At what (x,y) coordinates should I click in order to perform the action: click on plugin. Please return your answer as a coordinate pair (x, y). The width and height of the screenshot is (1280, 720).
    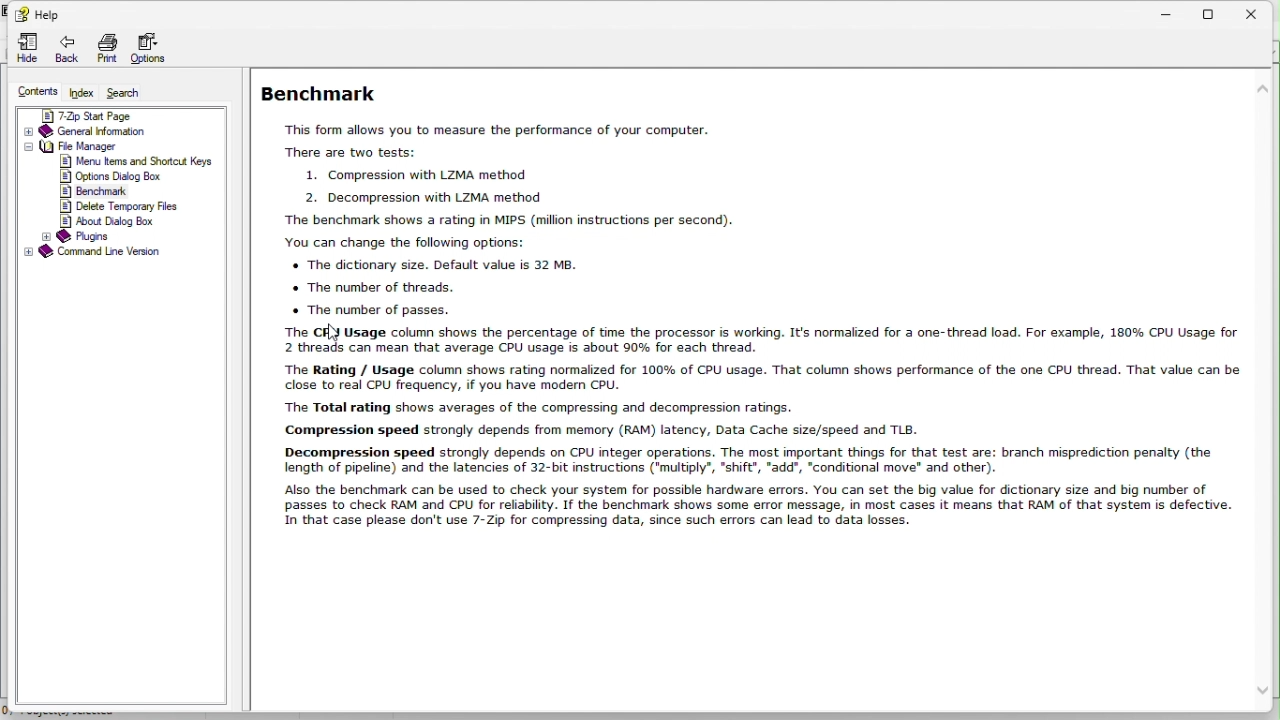
    Looking at the image, I should click on (79, 236).